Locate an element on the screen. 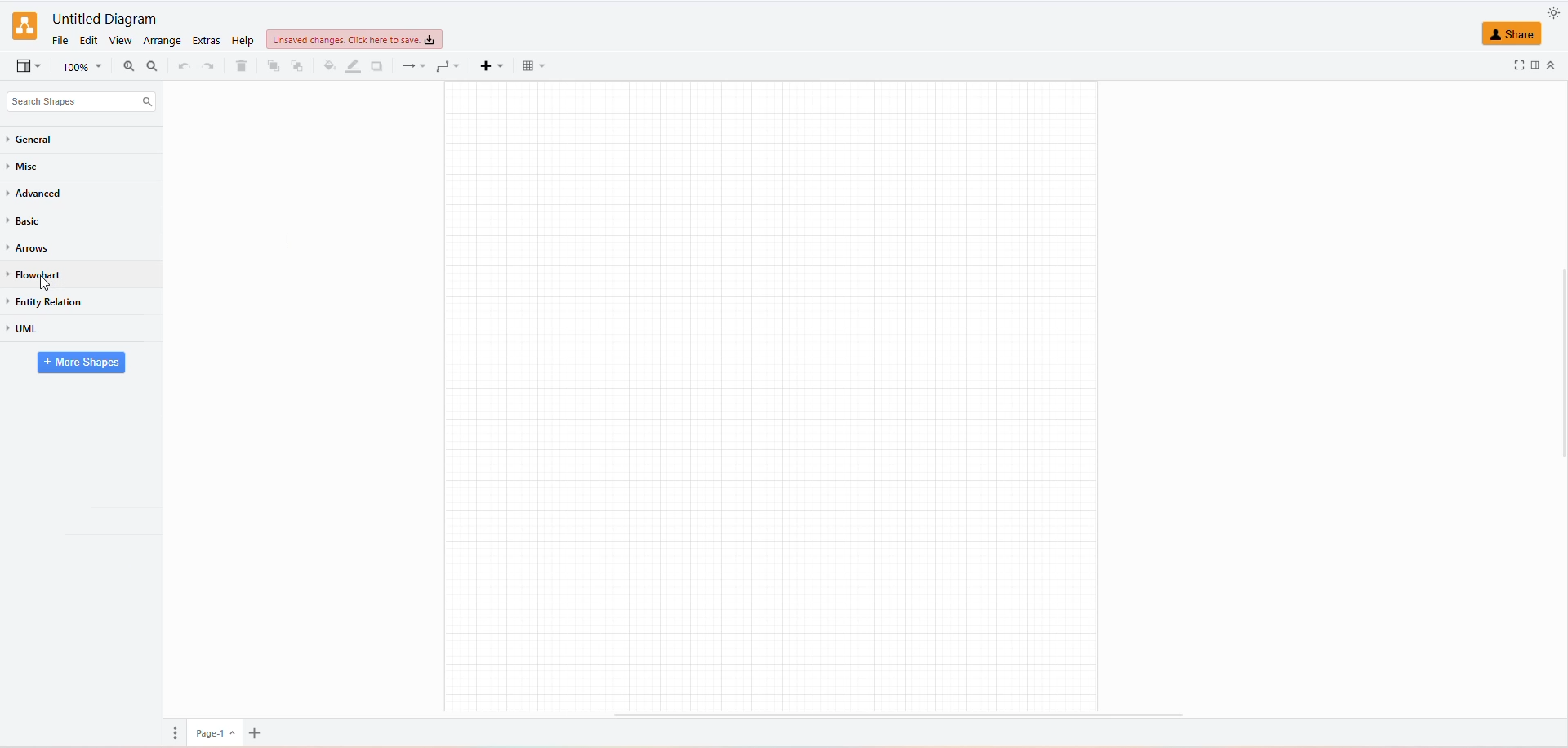 The height and width of the screenshot is (748, 1568). GENERAL is located at coordinates (42, 140).